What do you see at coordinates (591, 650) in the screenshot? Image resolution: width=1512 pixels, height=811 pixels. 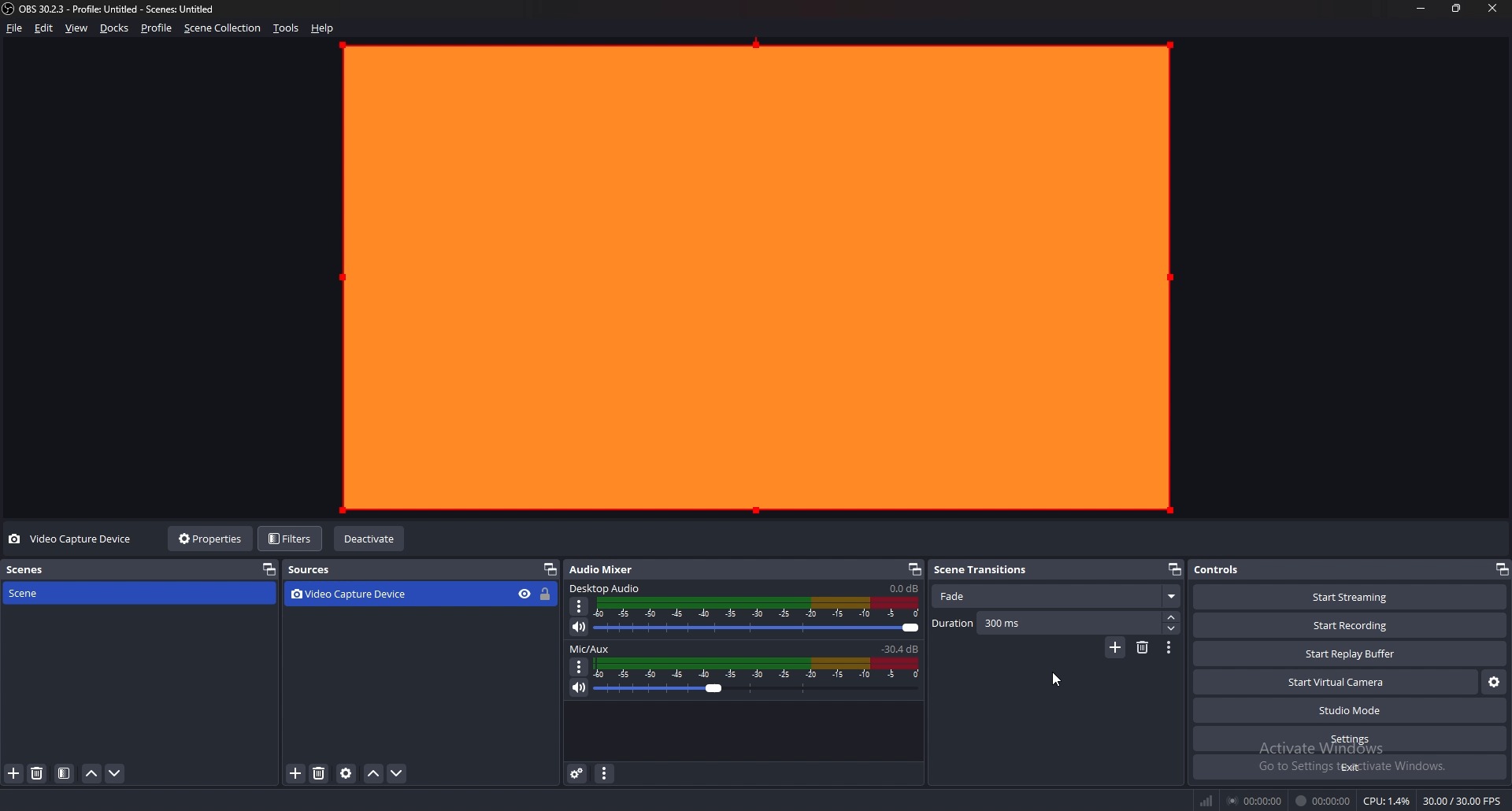 I see `mix/aux` at bounding box center [591, 650].